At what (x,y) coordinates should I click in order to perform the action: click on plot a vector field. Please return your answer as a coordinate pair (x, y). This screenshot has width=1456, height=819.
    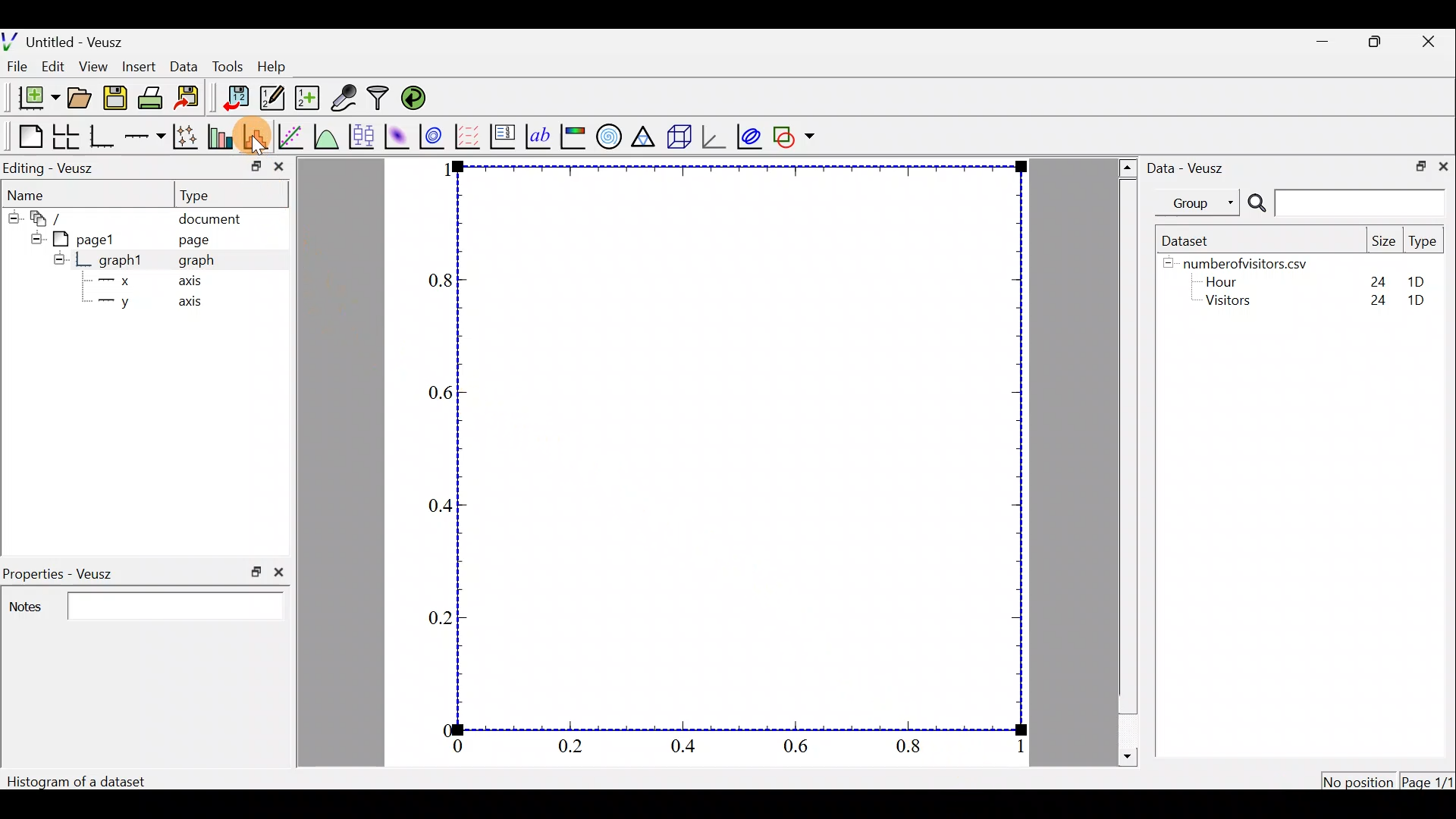
    Looking at the image, I should click on (467, 134).